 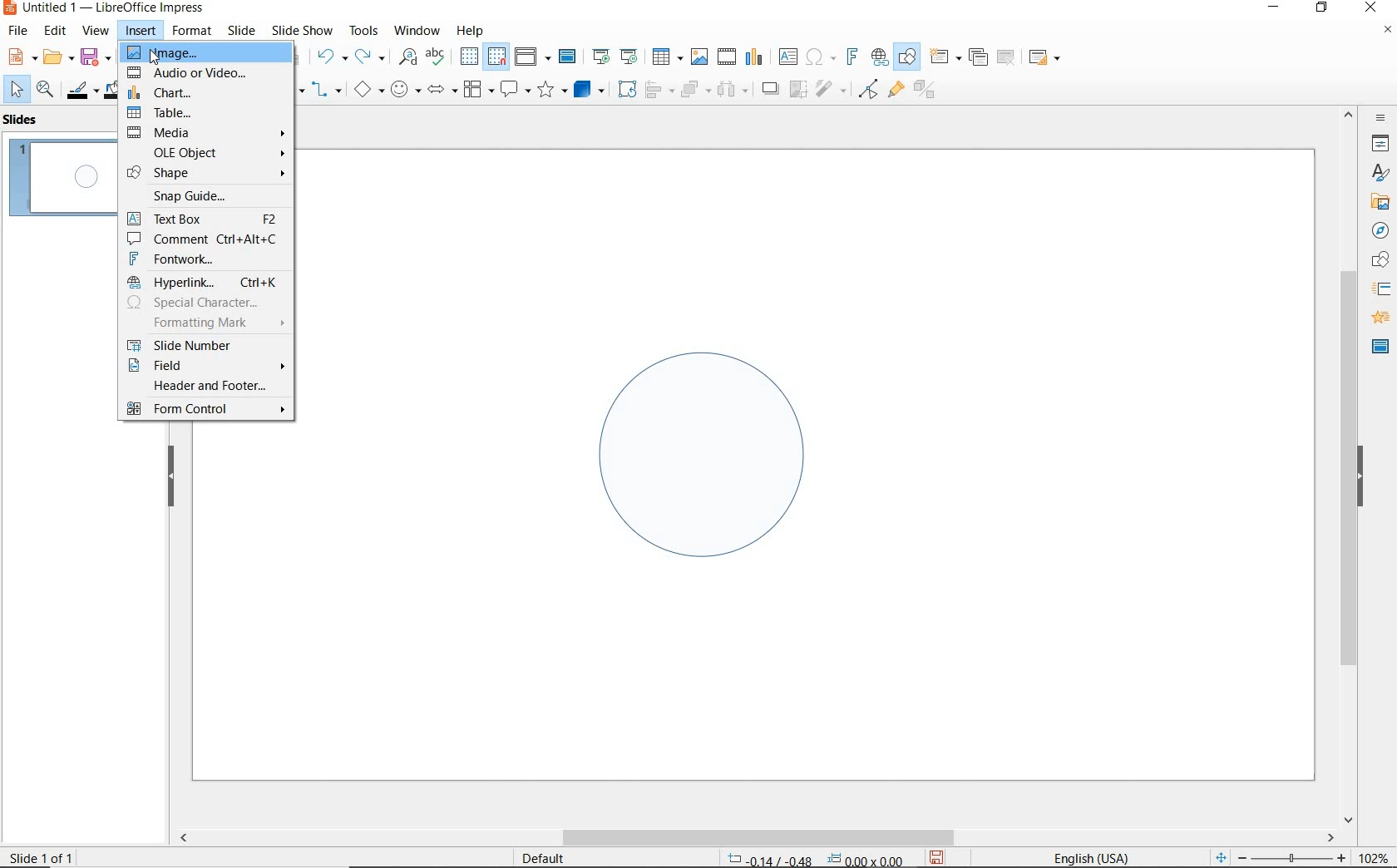 I want to click on rotate, so click(x=624, y=88).